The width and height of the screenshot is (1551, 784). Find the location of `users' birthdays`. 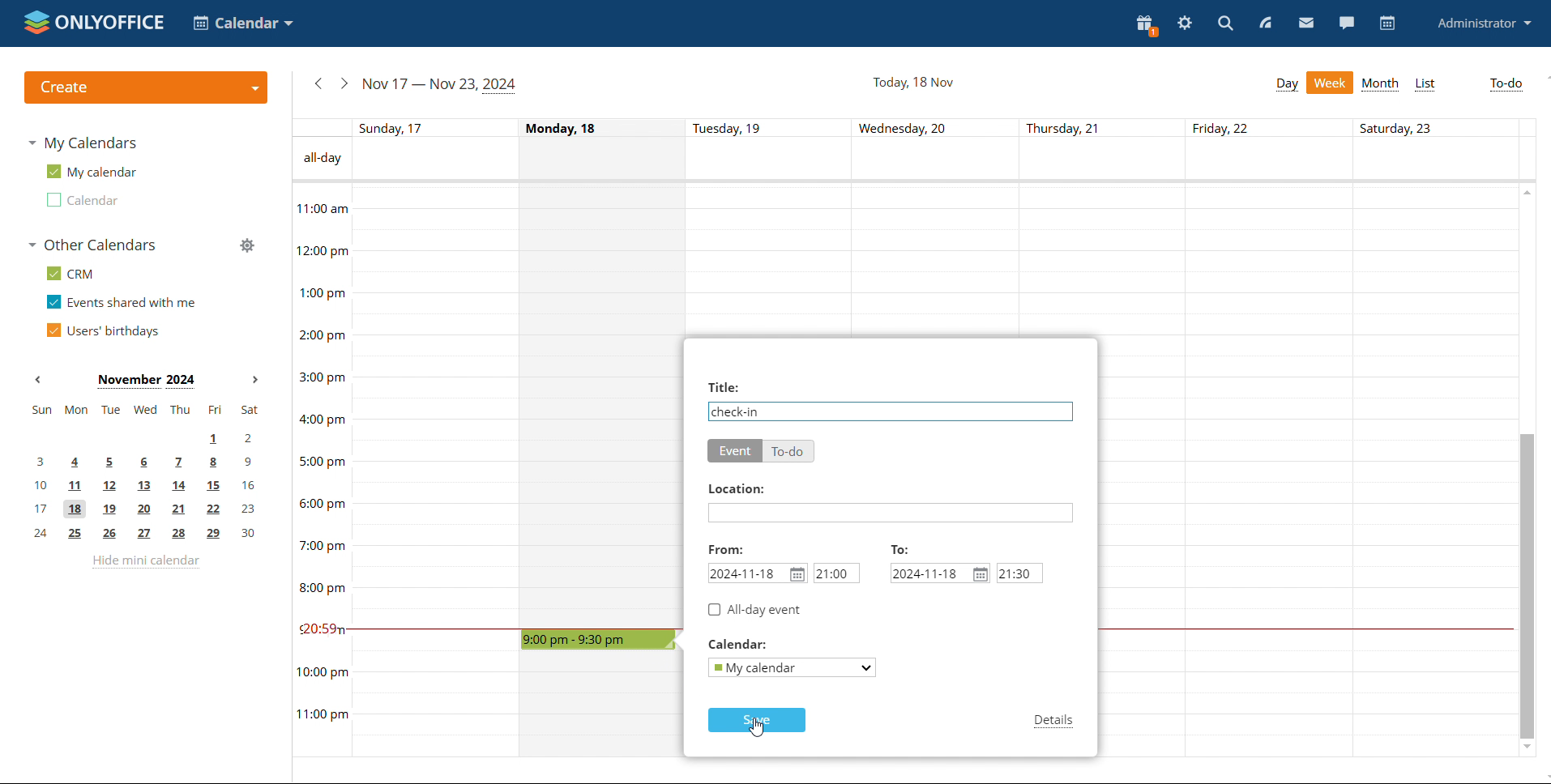

users' birthdays is located at coordinates (104, 330).